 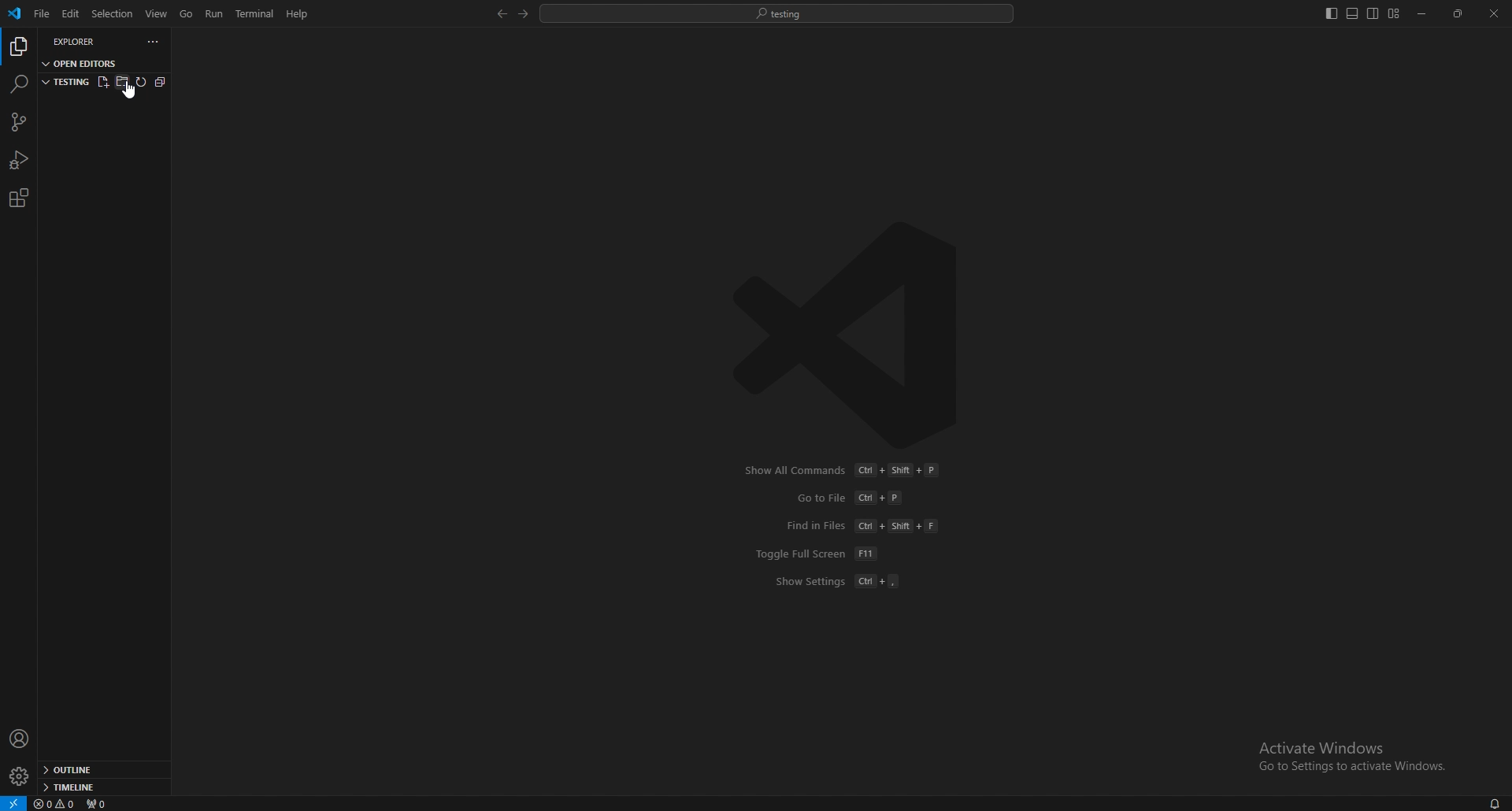 What do you see at coordinates (1423, 14) in the screenshot?
I see `minimize` at bounding box center [1423, 14].